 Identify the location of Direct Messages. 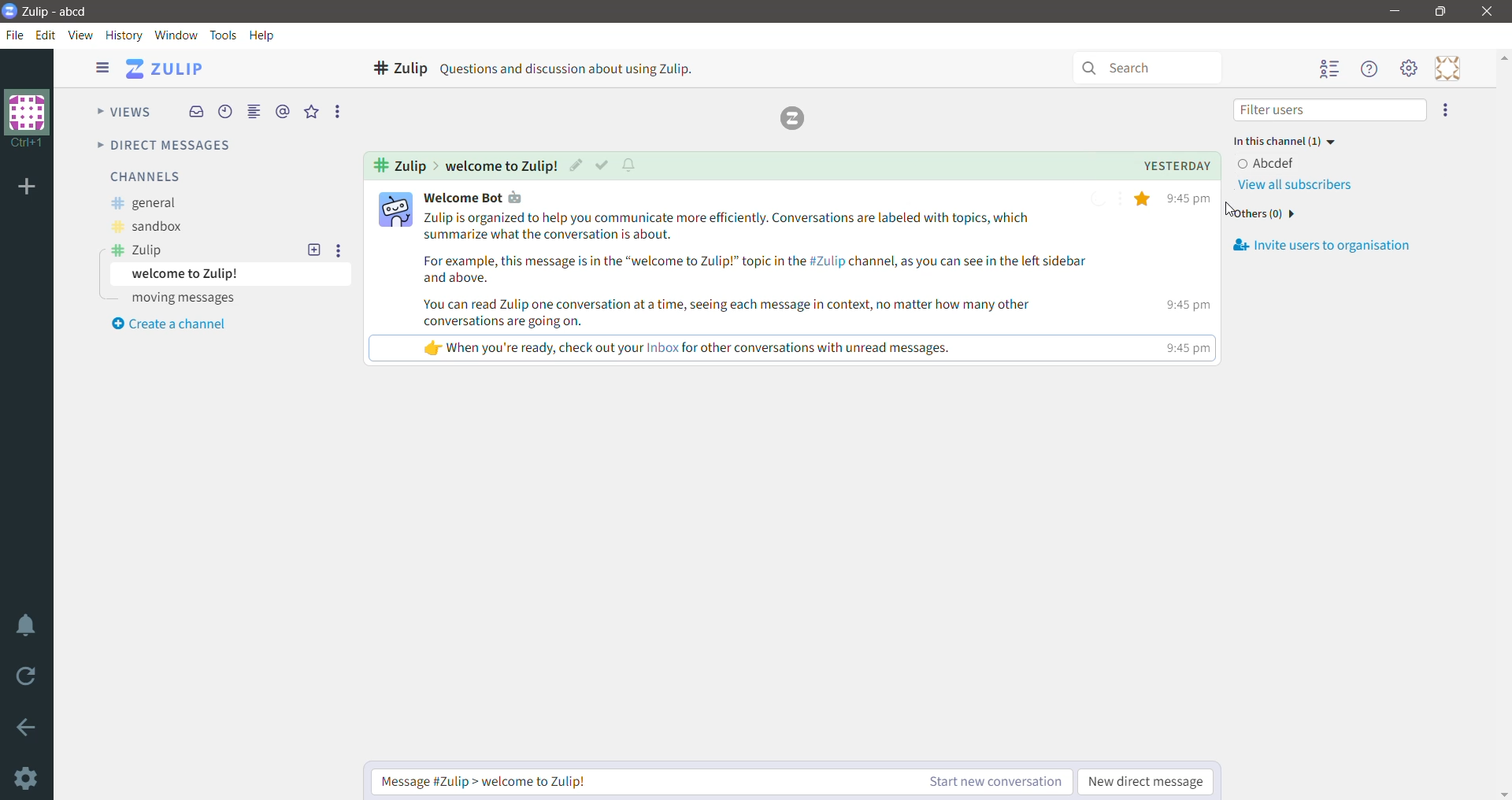
(161, 146).